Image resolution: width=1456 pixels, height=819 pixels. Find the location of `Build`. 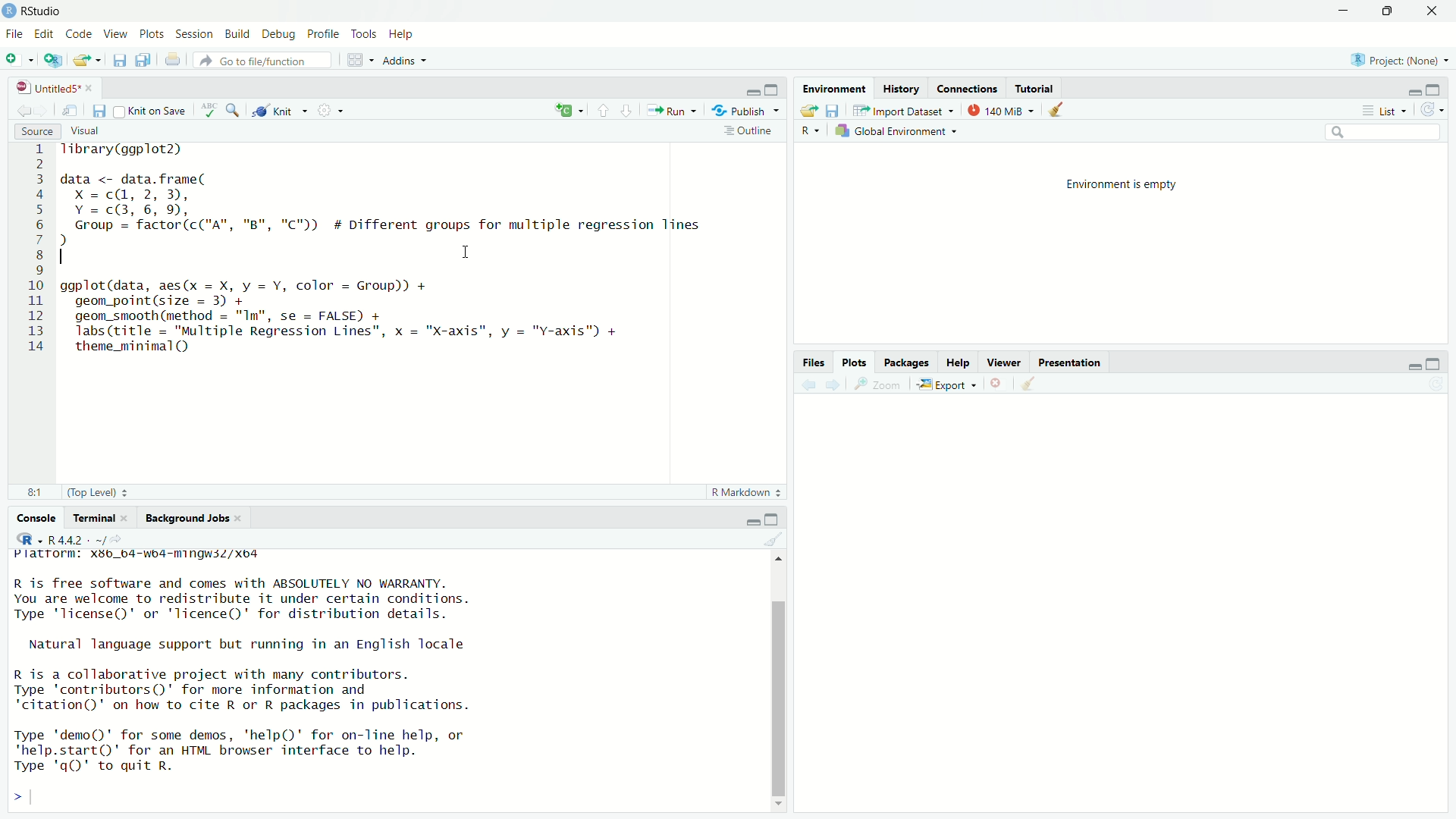

Build is located at coordinates (237, 34).